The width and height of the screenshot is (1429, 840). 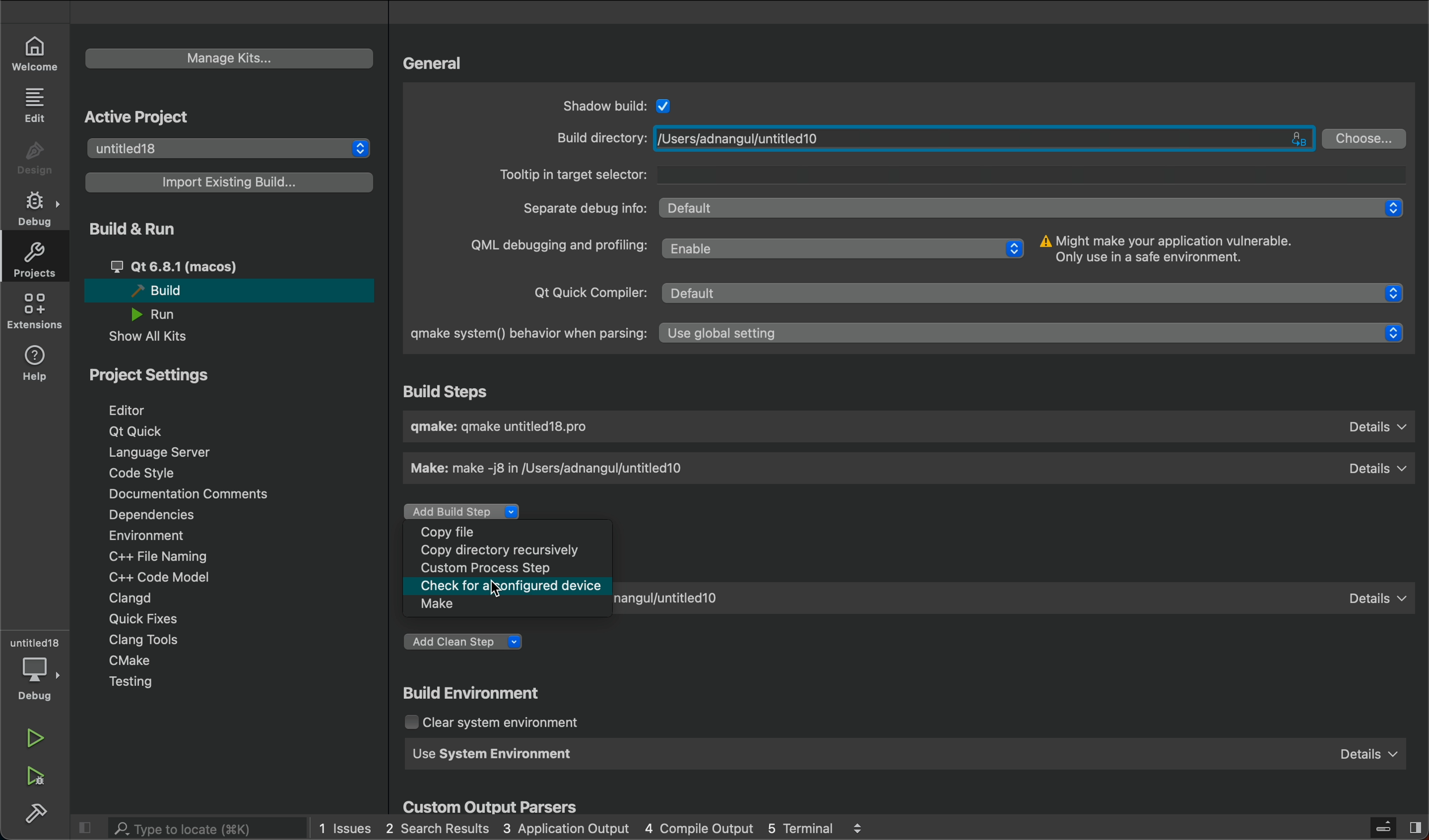 I want to click on build, so click(x=41, y=816).